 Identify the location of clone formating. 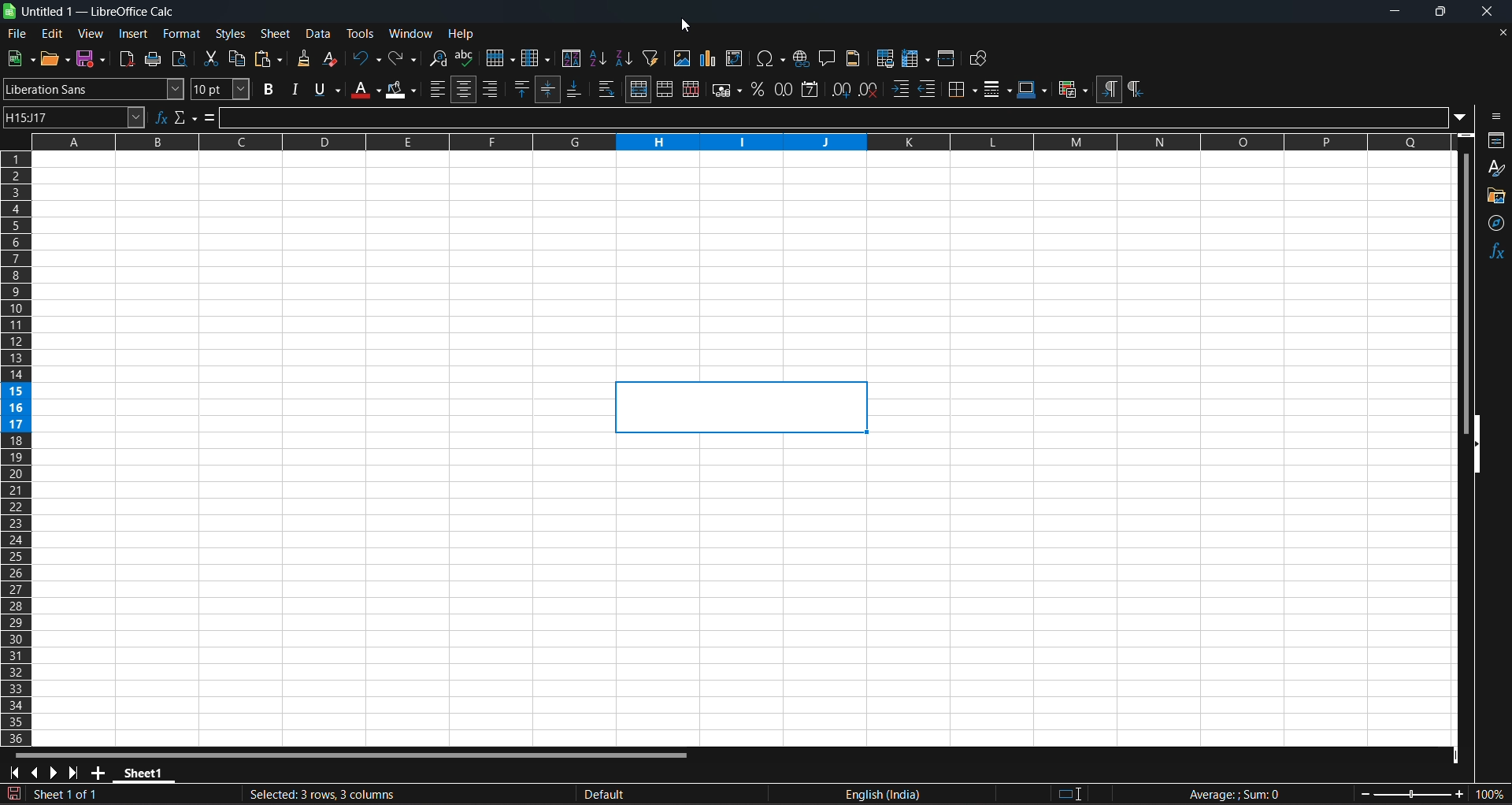
(305, 58).